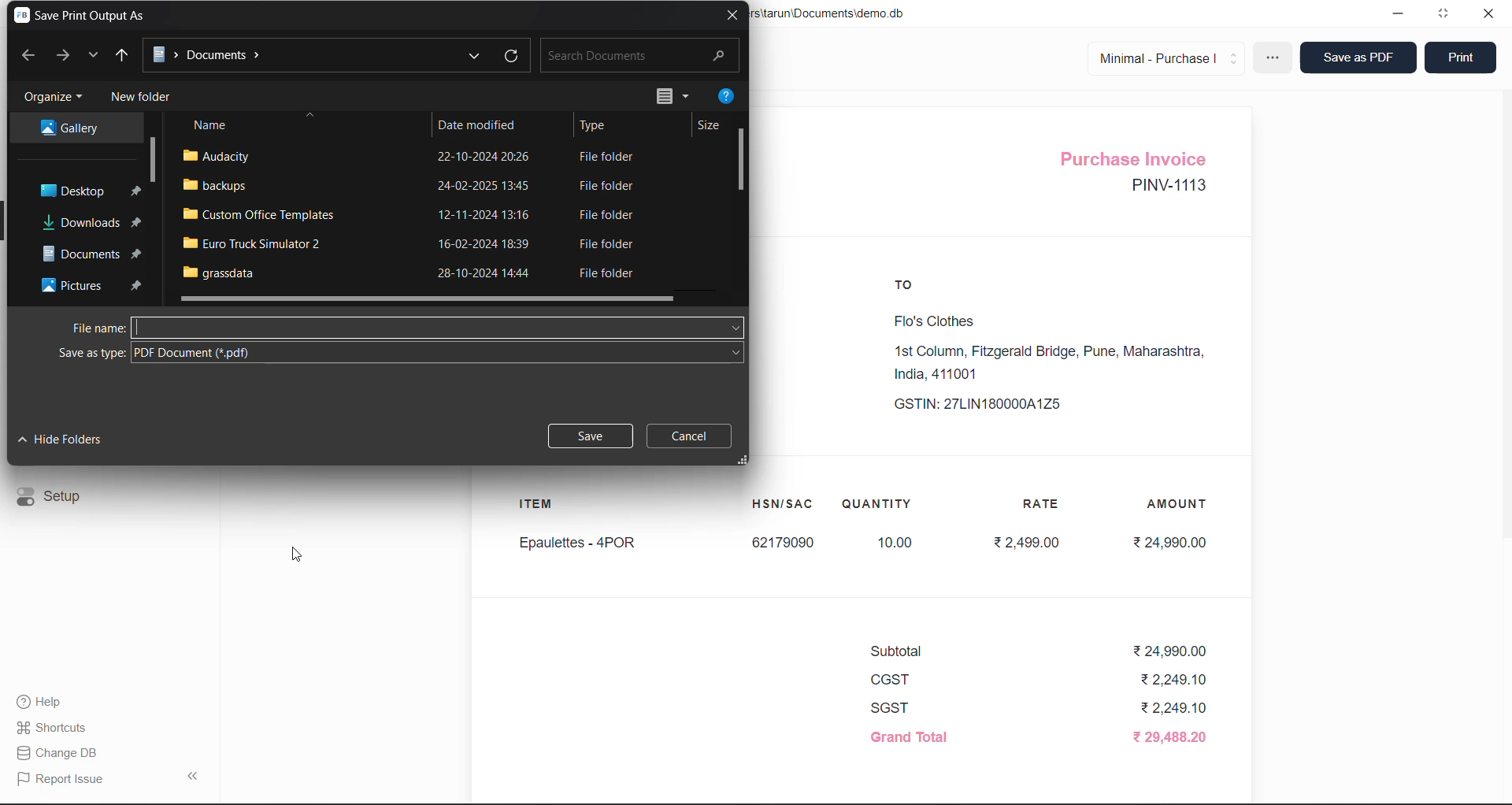 The height and width of the screenshot is (805, 1512). Describe the element at coordinates (745, 161) in the screenshot. I see `vertical scroll bar` at that location.